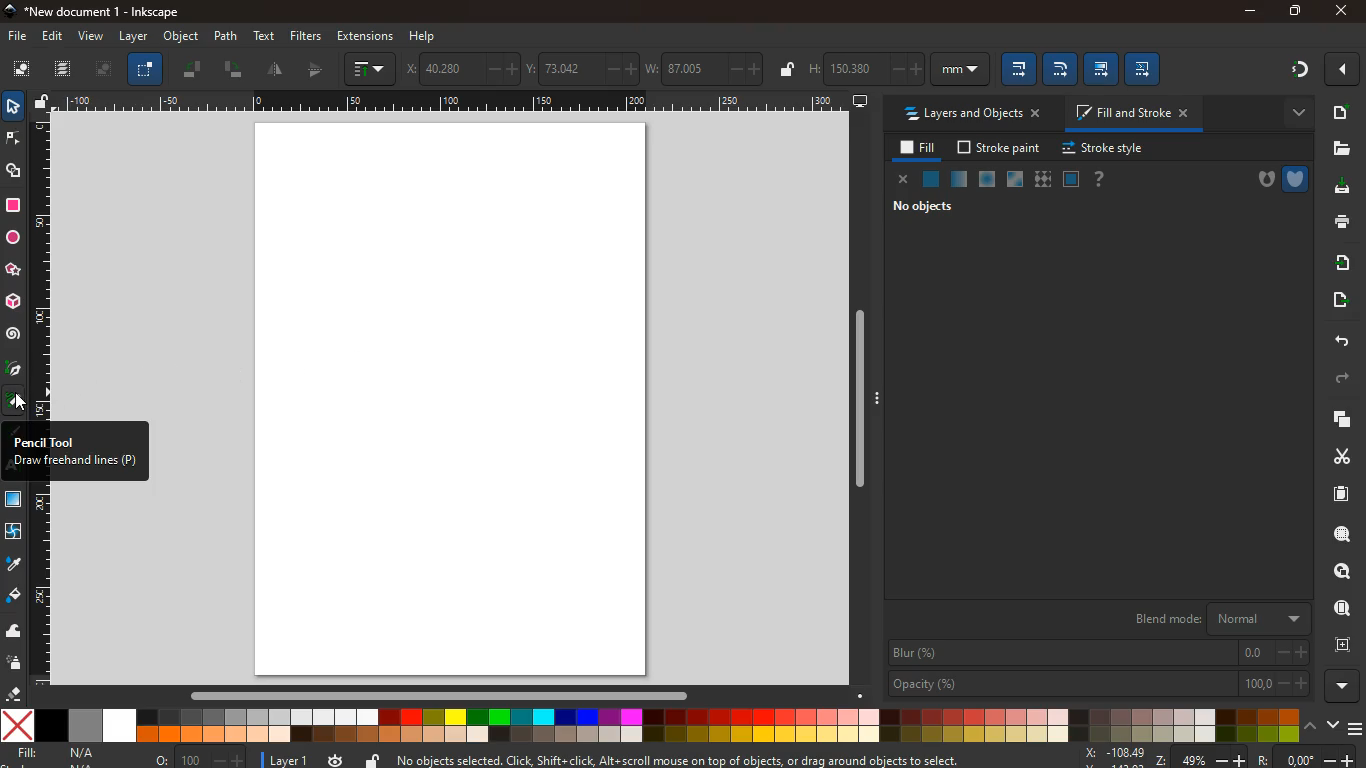 This screenshot has height=768, width=1366. Describe the element at coordinates (90, 37) in the screenshot. I see `view` at that location.